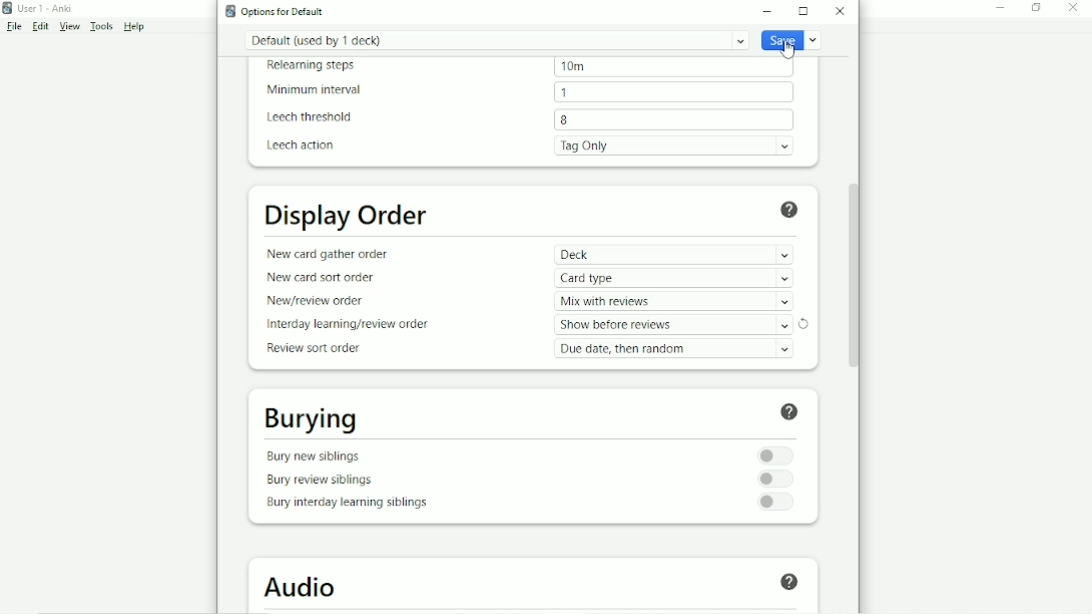 The height and width of the screenshot is (614, 1092). I want to click on Save, so click(793, 39).